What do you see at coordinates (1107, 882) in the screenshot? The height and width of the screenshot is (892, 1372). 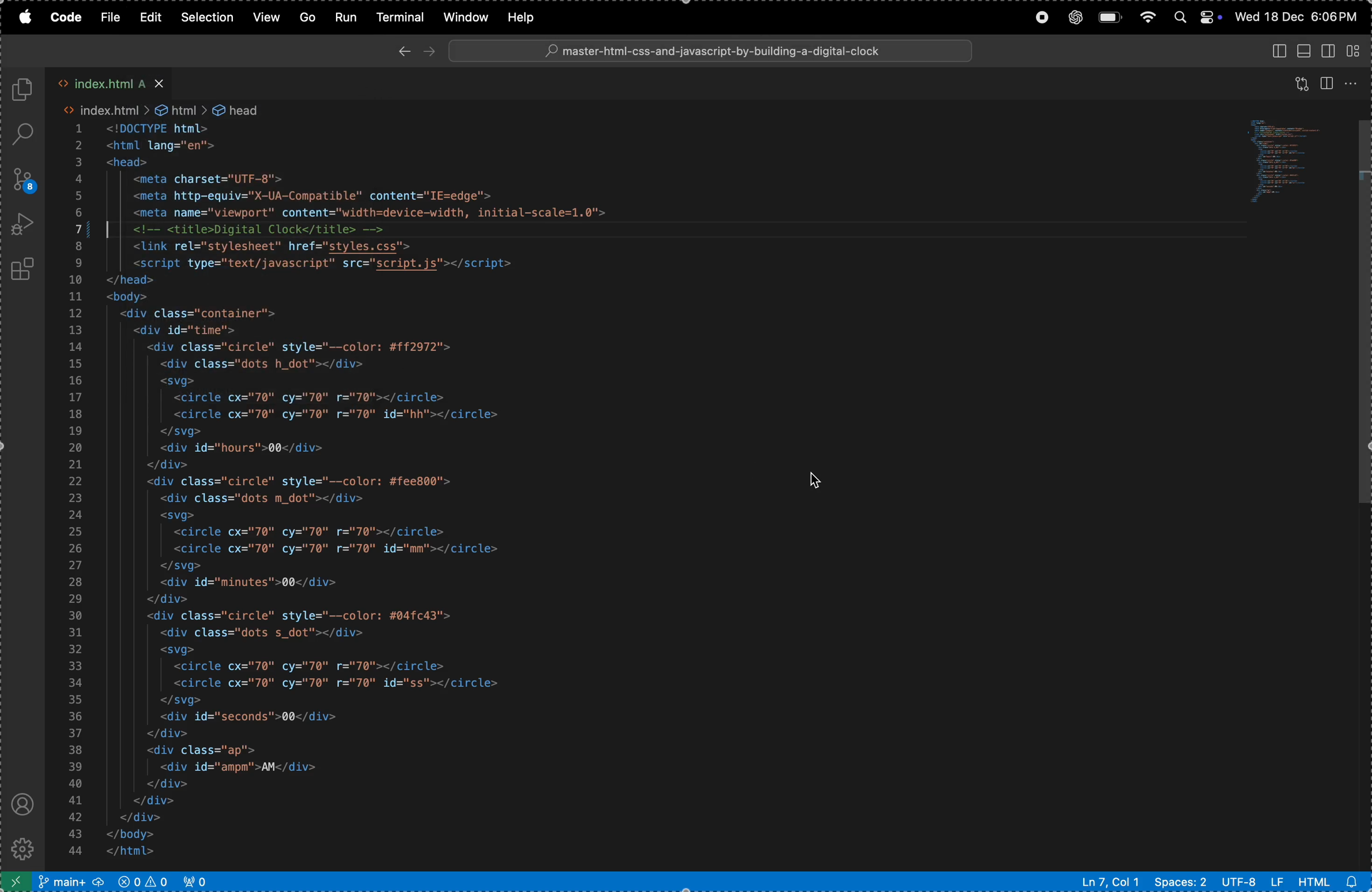 I see `Ln7 col 2` at bounding box center [1107, 882].